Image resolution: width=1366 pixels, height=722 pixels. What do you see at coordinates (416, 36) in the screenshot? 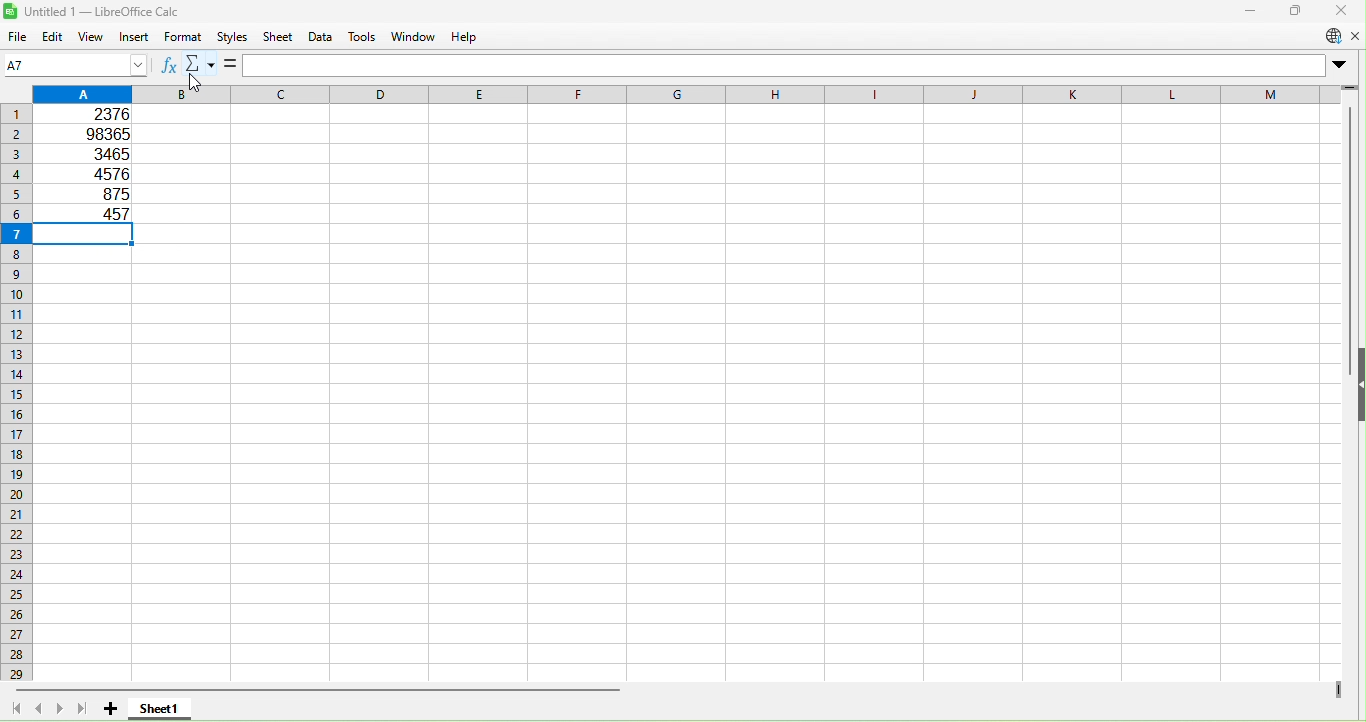
I see `Windows` at bounding box center [416, 36].